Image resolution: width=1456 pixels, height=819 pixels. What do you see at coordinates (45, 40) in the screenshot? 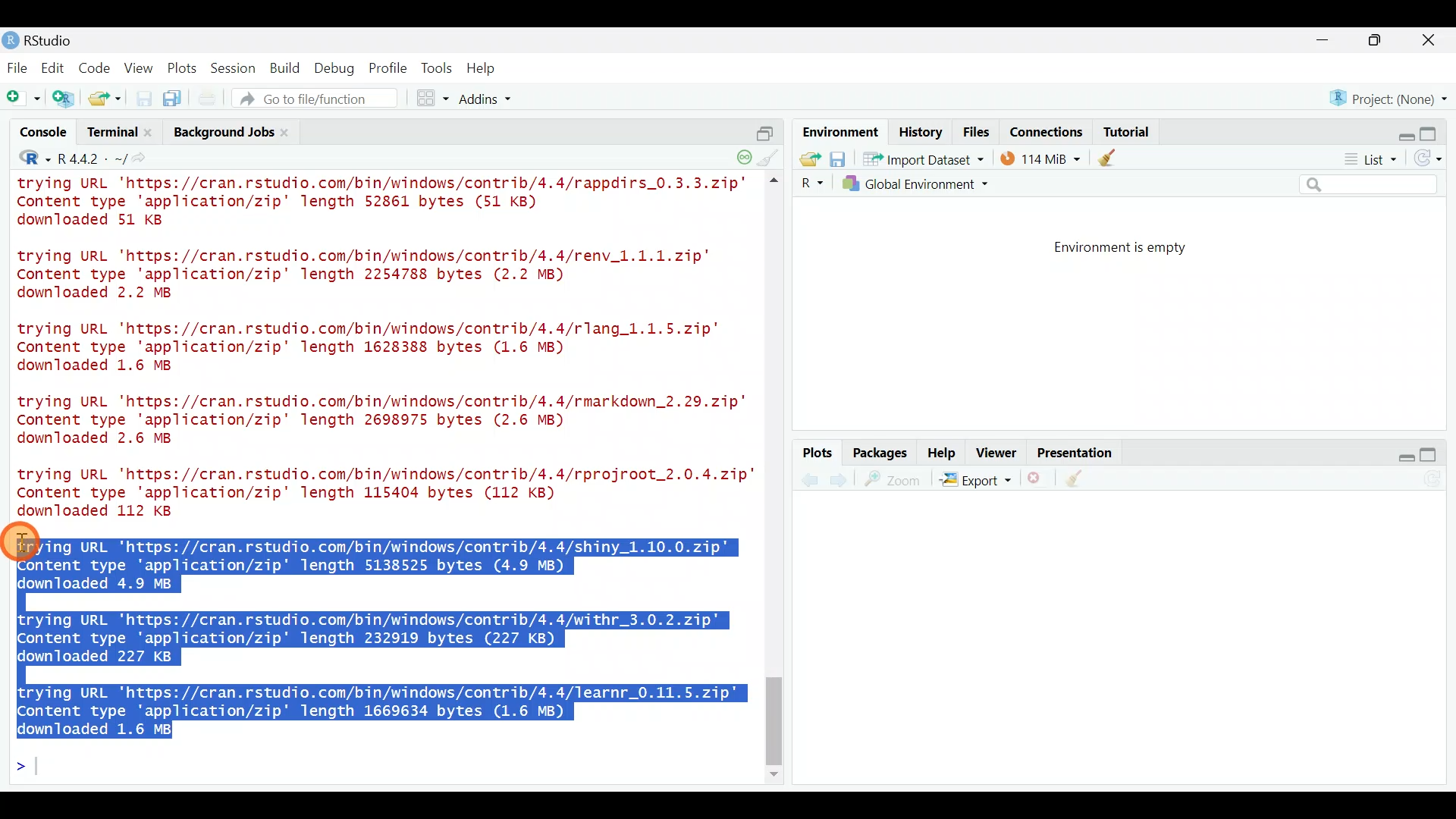
I see `RStudio` at bounding box center [45, 40].